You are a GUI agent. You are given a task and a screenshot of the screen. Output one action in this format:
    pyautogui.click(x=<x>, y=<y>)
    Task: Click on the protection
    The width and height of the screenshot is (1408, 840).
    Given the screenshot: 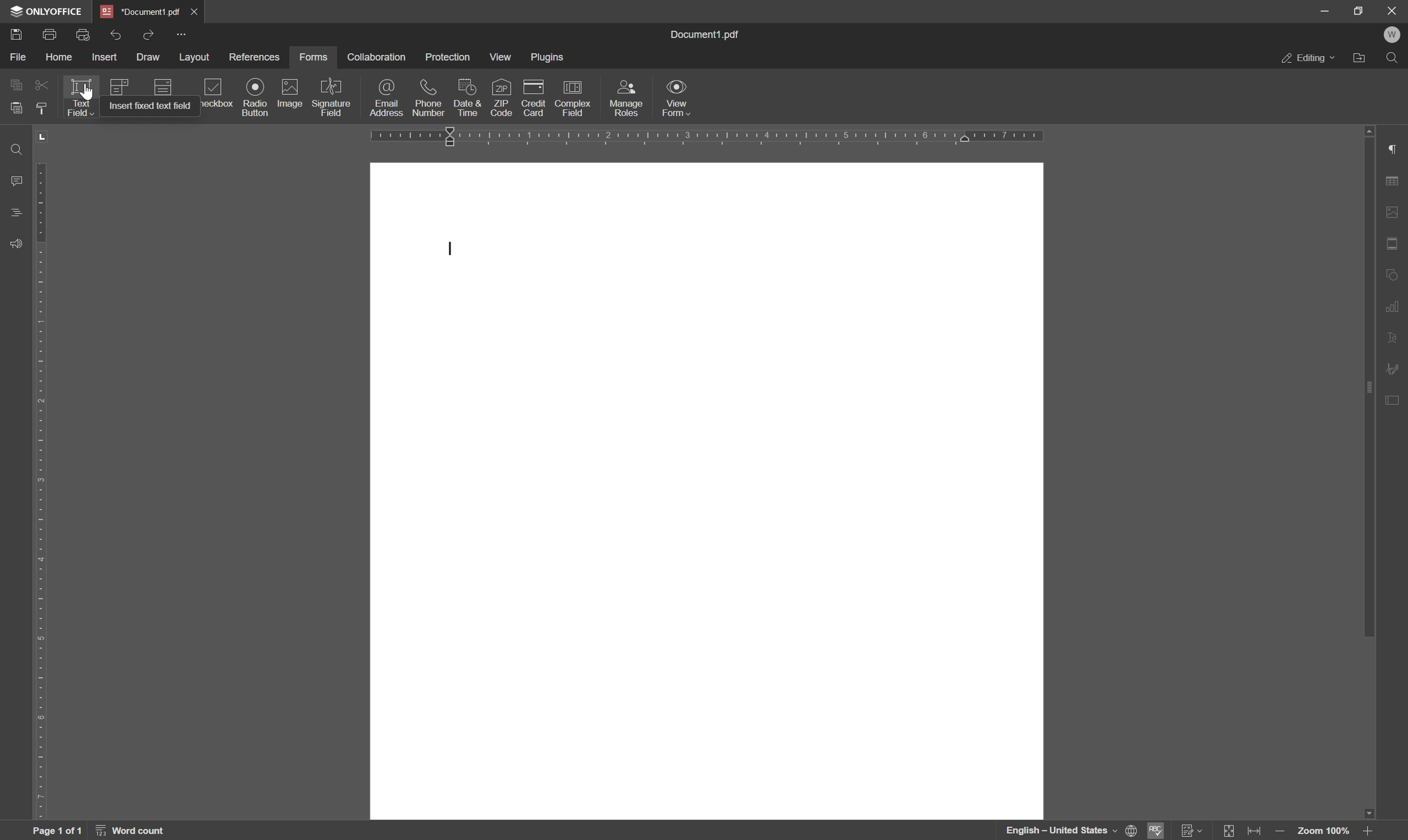 What is the action you would take?
    pyautogui.click(x=450, y=58)
    